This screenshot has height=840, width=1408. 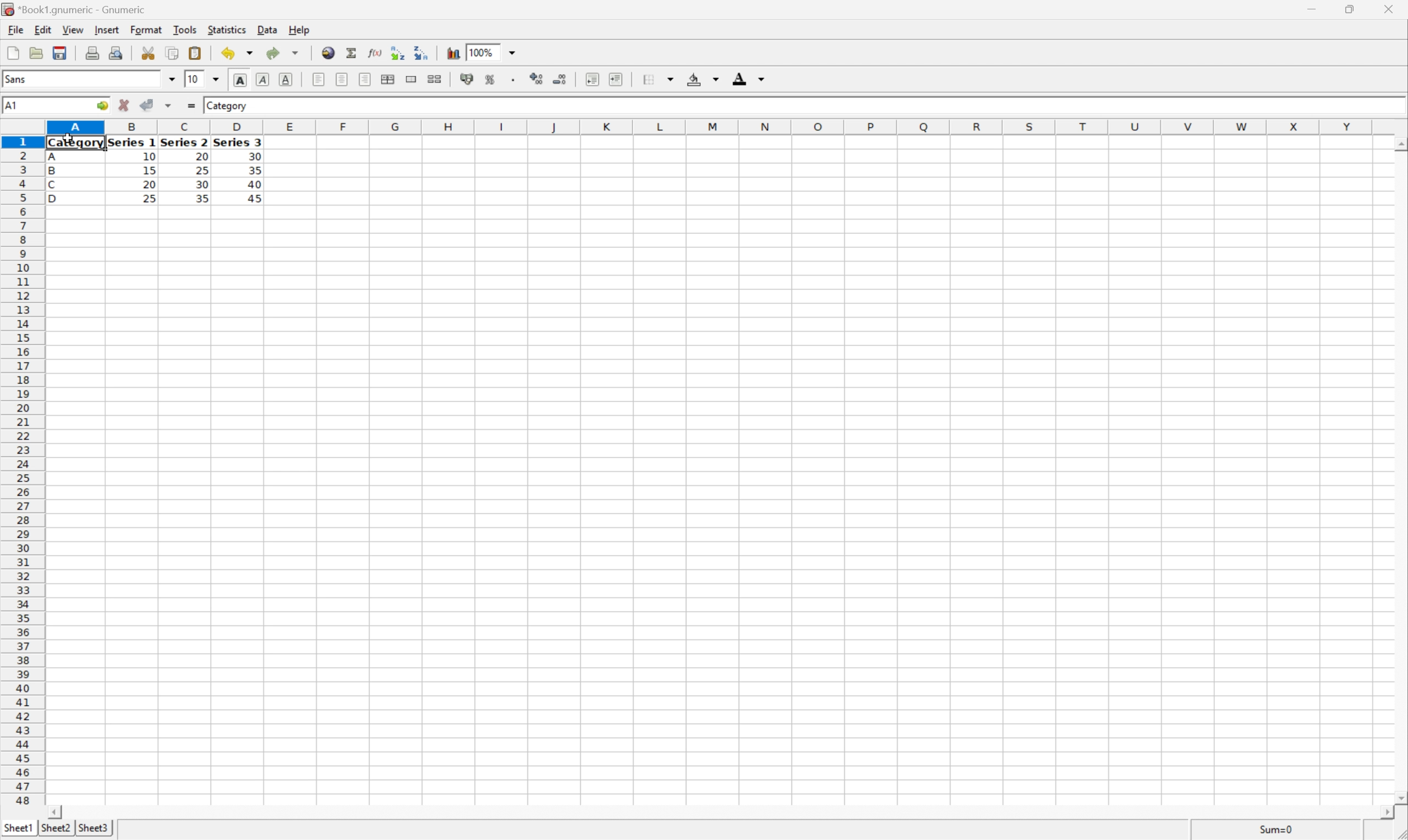 What do you see at coordinates (711, 127) in the screenshot?
I see `Column names` at bounding box center [711, 127].